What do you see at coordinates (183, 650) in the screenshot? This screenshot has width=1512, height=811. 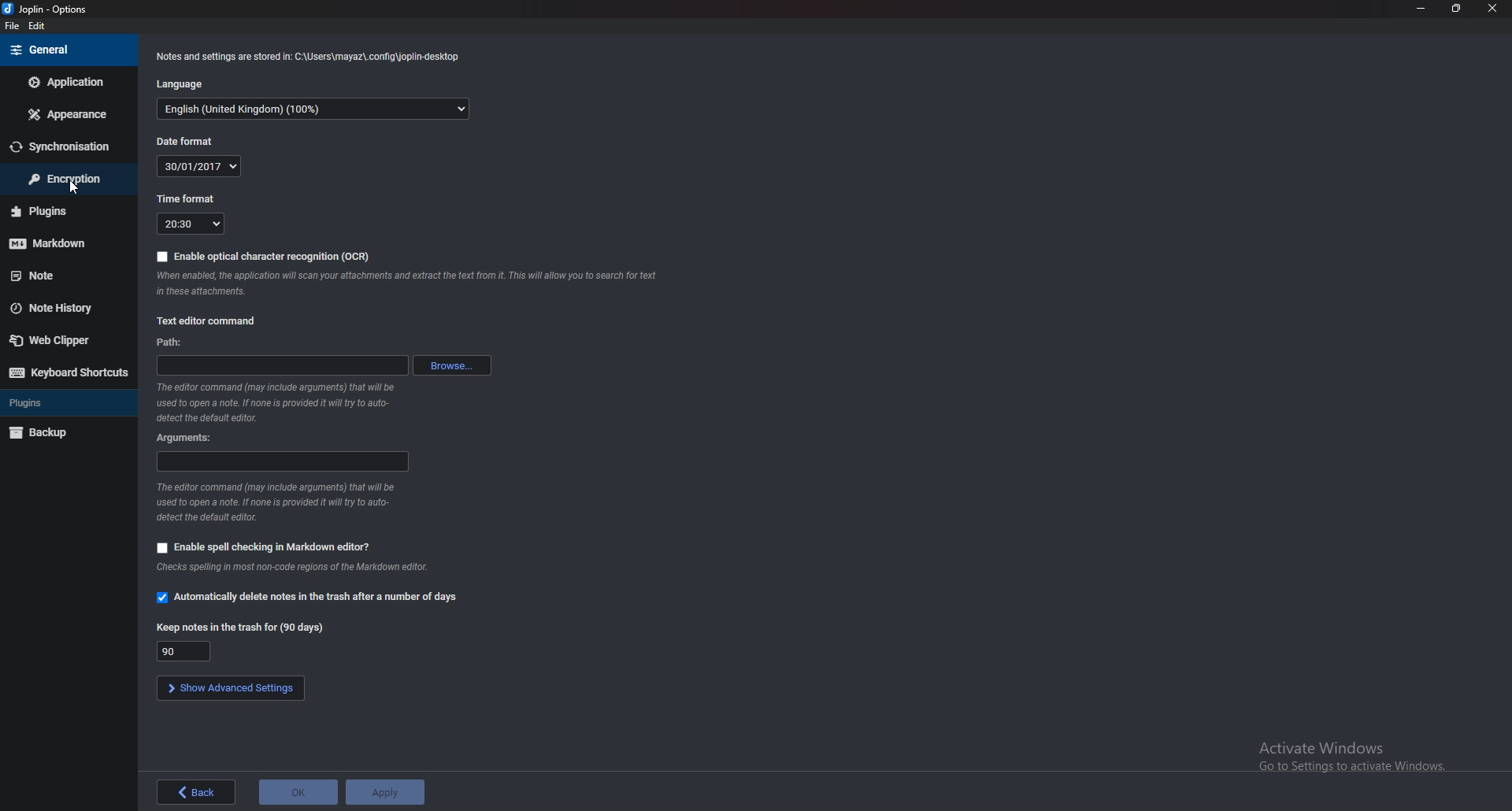 I see `keep notes in trash for` at bounding box center [183, 650].